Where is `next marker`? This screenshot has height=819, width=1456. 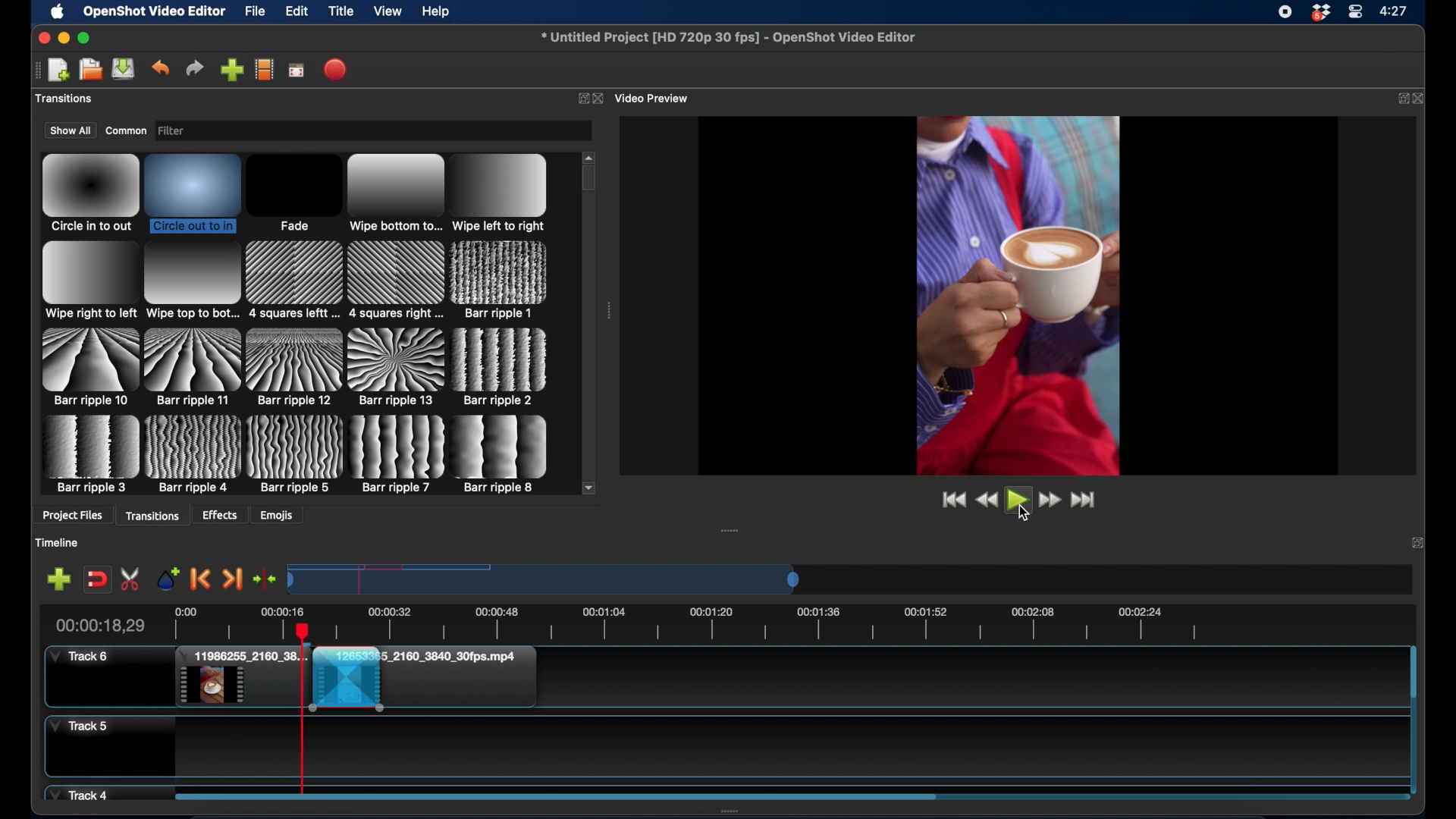
next marker is located at coordinates (232, 579).